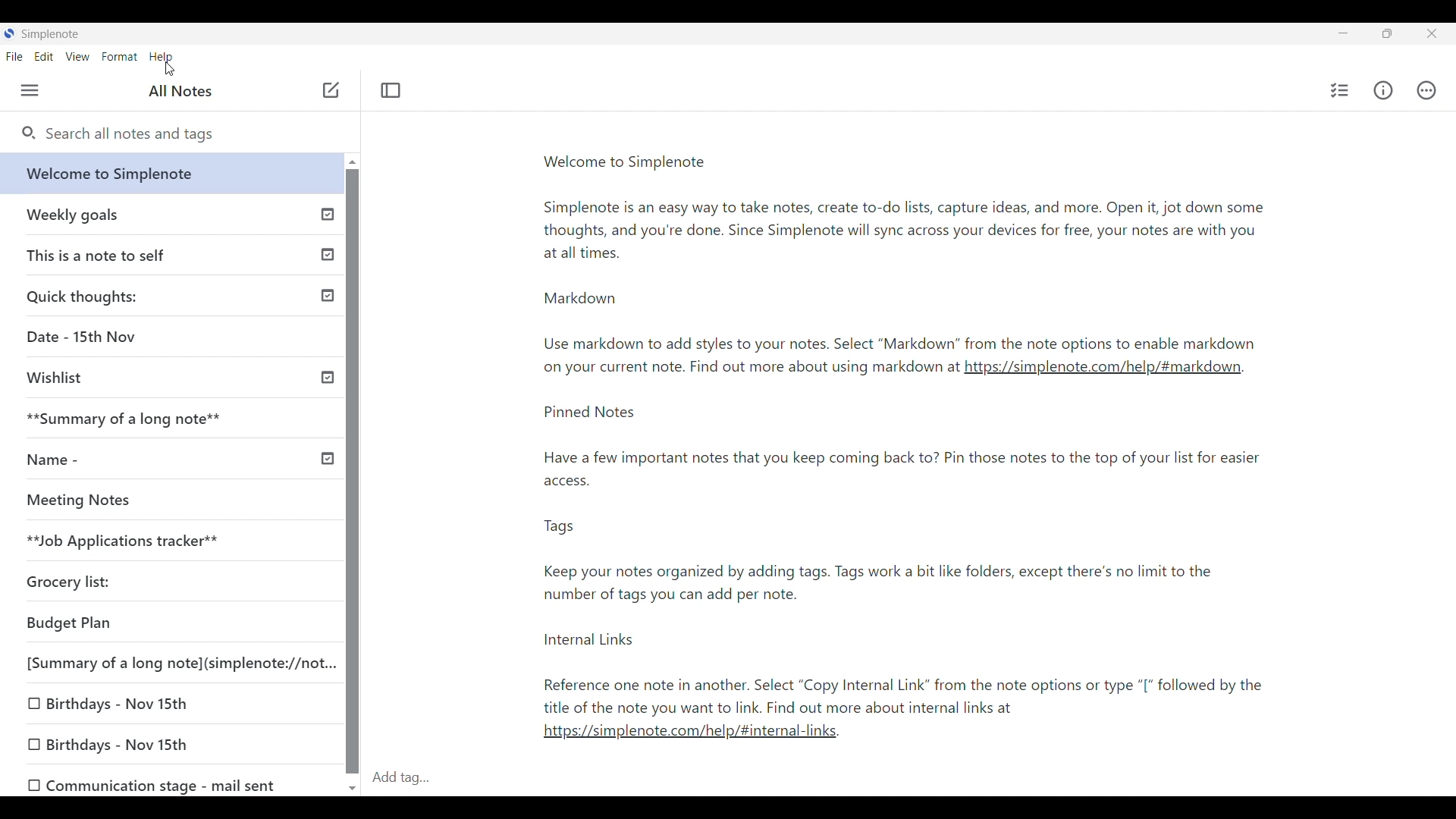 This screenshot has height=819, width=1456. I want to click on Quick thoughts:, so click(144, 295).